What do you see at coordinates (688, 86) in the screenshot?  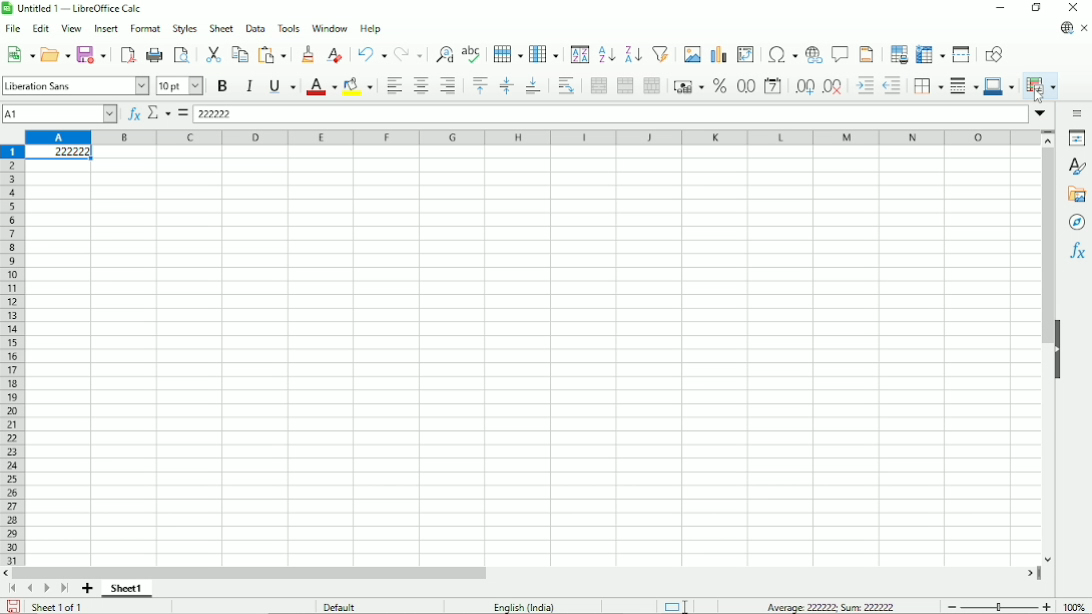 I see `Format as currency` at bounding box center [688, 86].